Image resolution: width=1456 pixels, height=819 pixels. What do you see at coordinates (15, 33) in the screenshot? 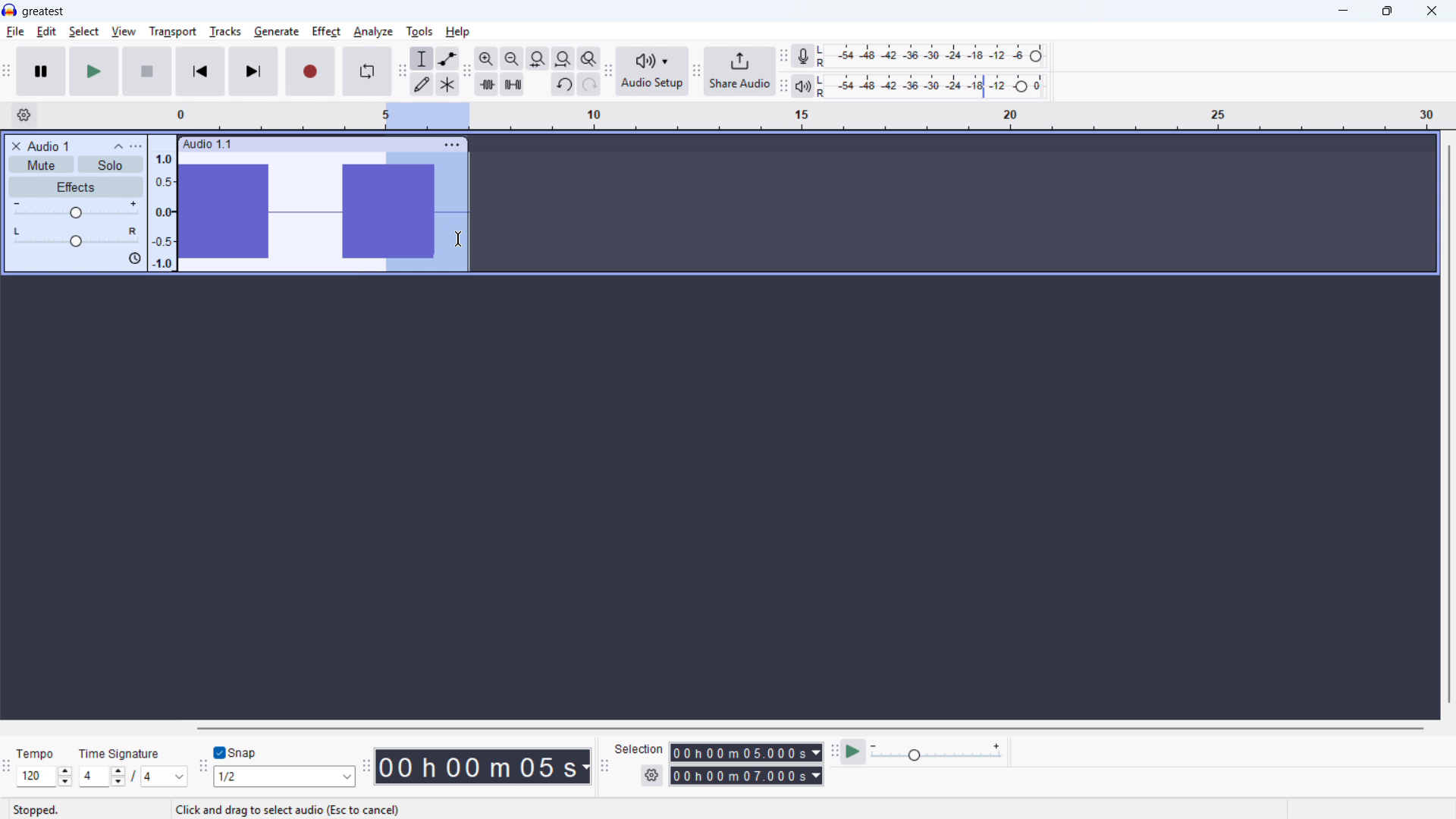
I see `file` at bounding box center [15, 33].